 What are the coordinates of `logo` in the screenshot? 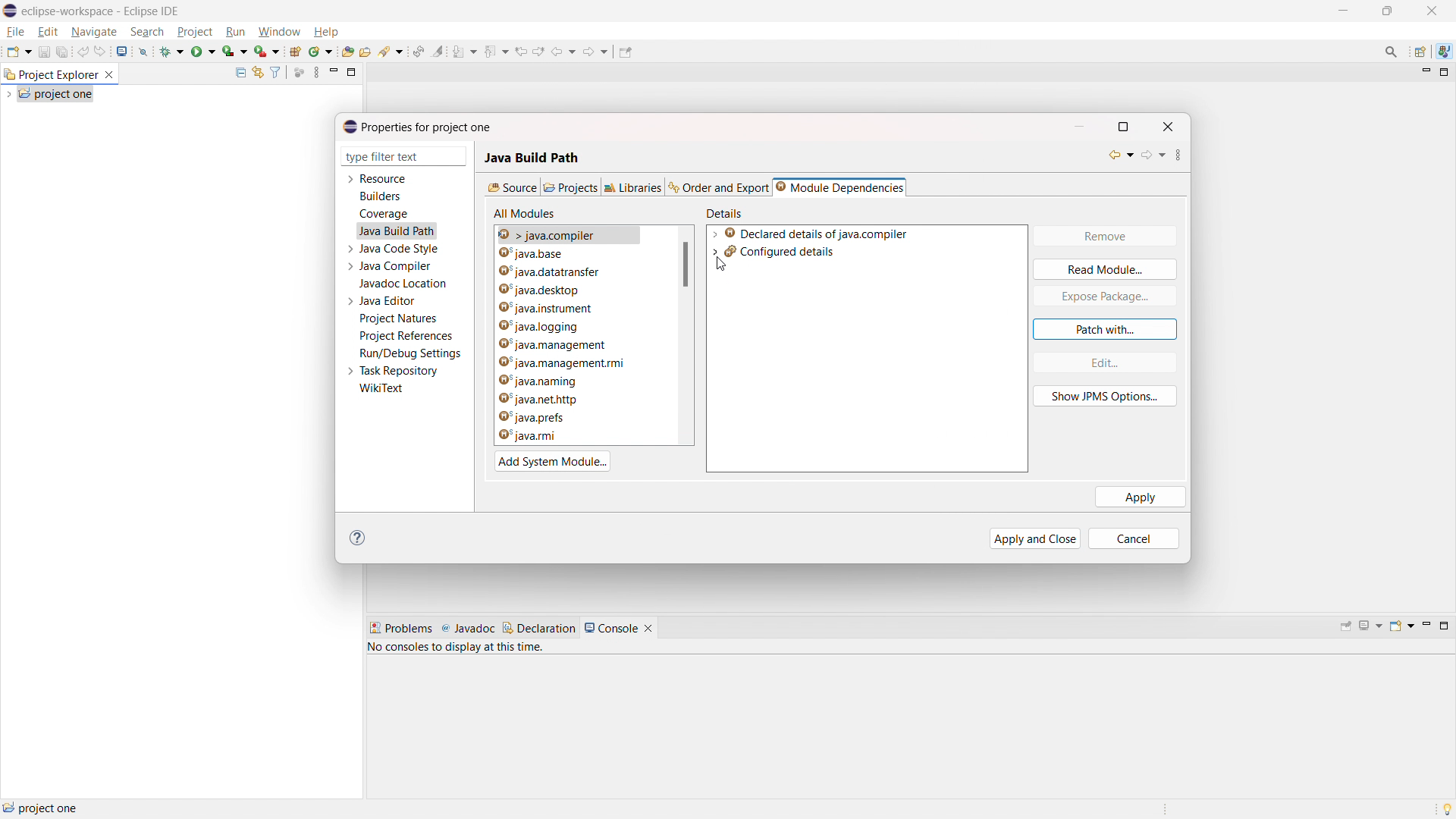 It's located at (11, 11).